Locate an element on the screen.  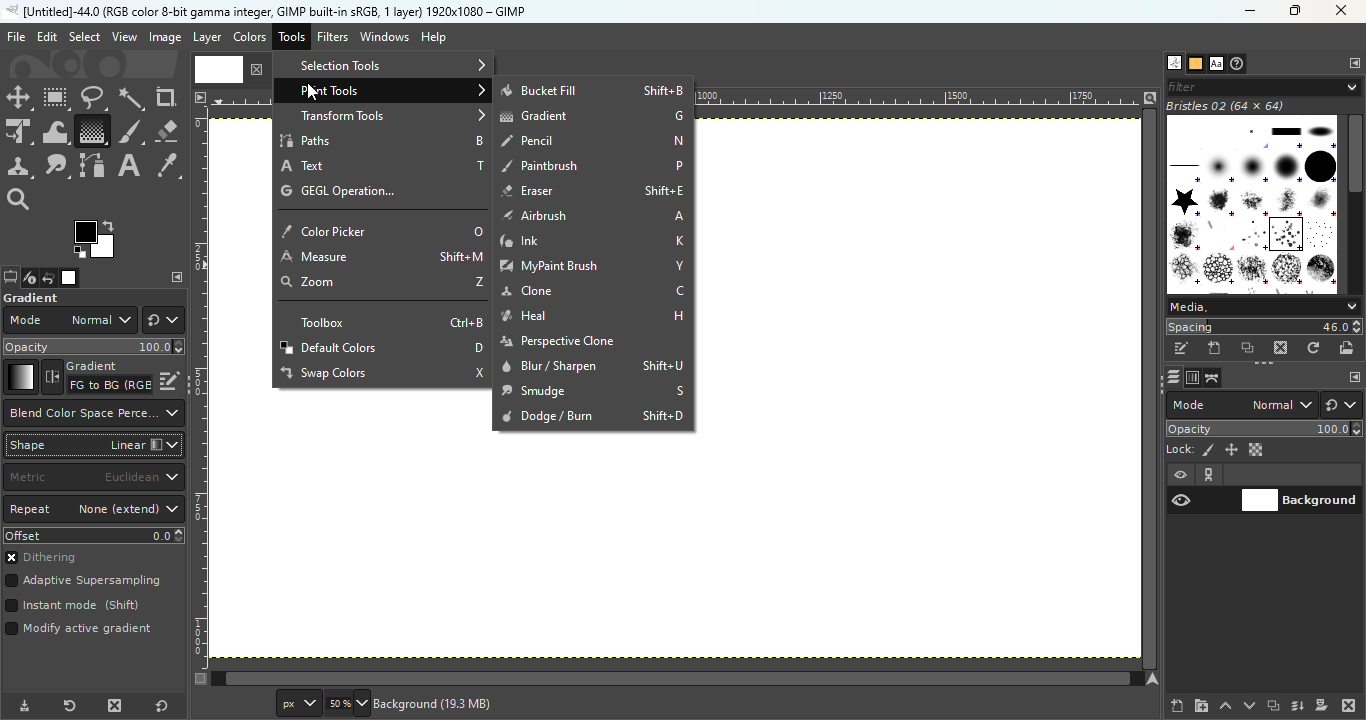
Media is located at coordinates (1262, 307).